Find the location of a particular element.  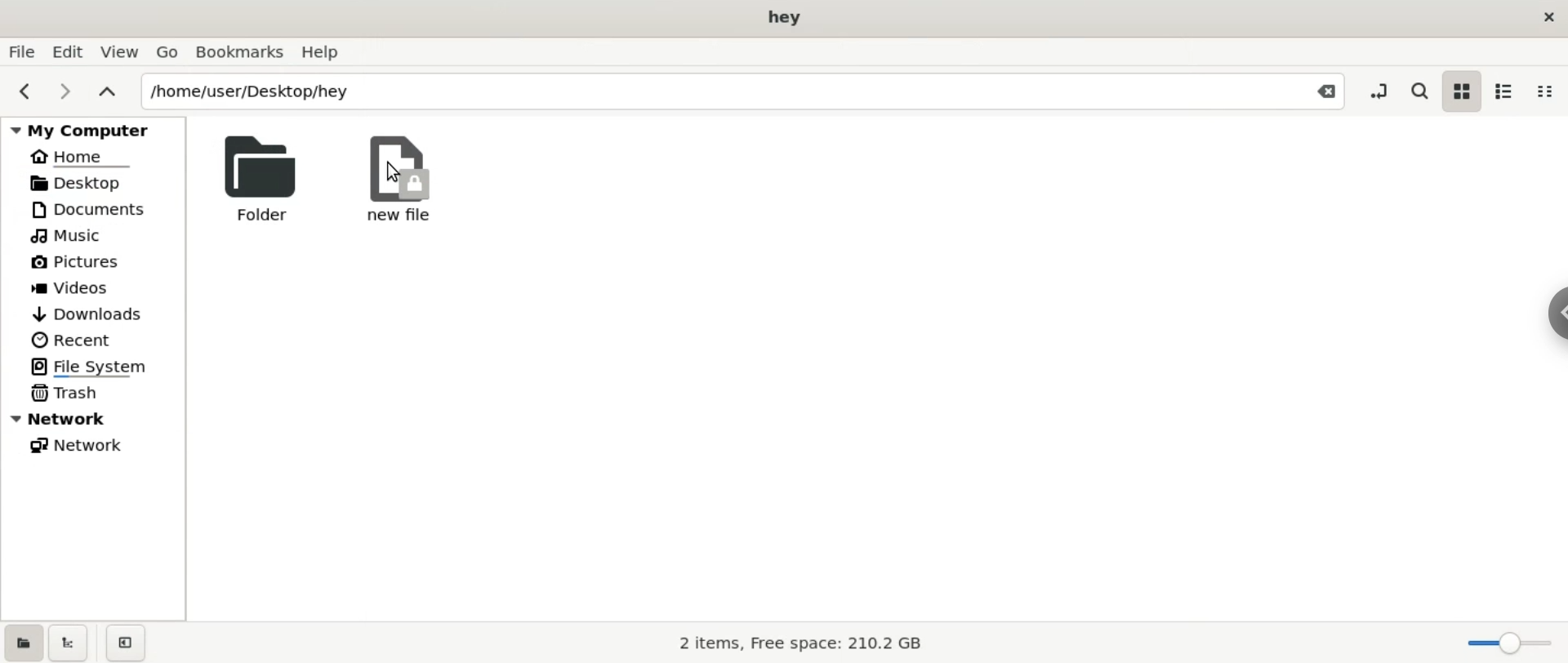

close sidebar is located at coordinates (132, 641).